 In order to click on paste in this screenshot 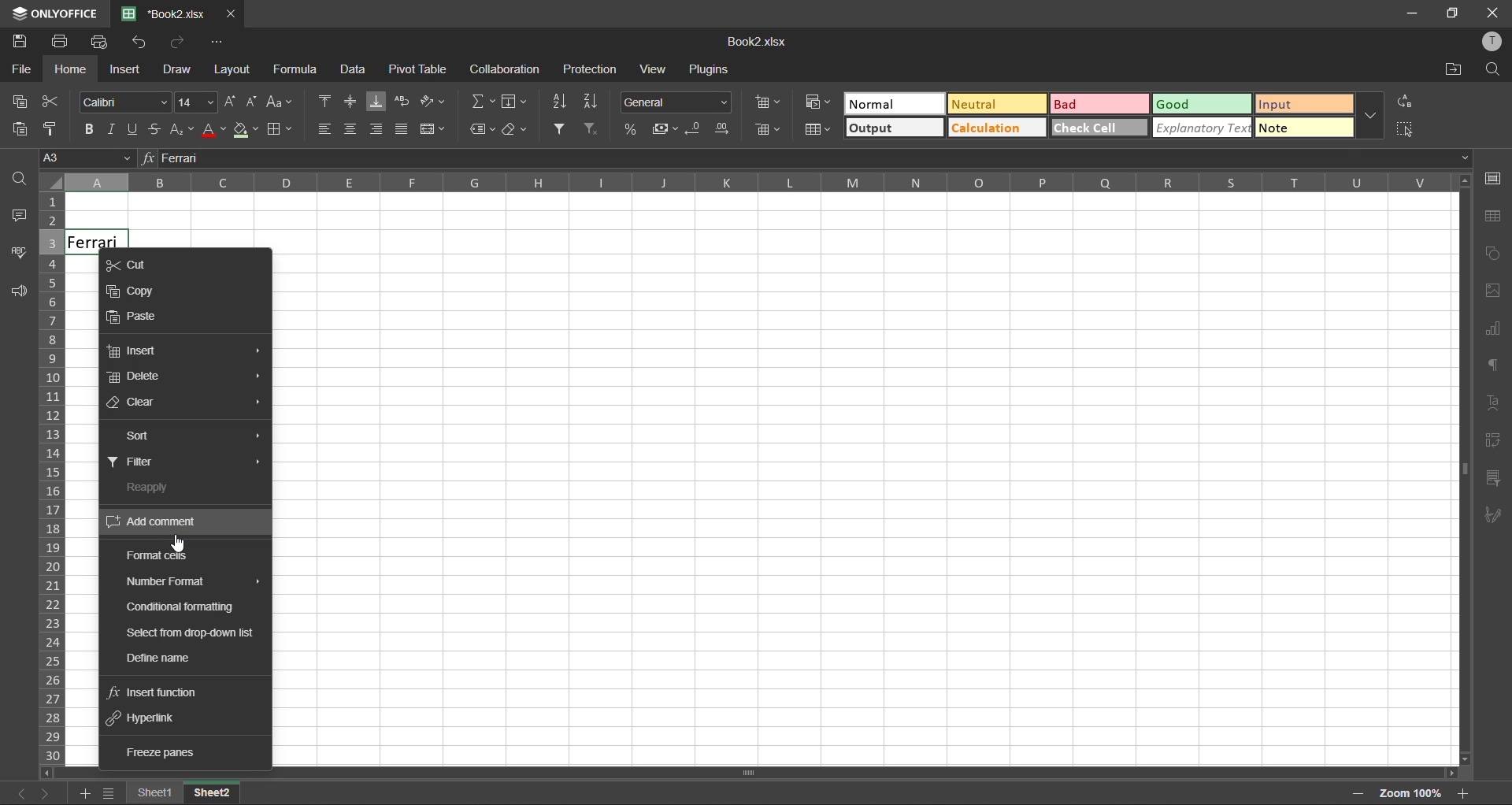, I will do `click(137, 317)`.